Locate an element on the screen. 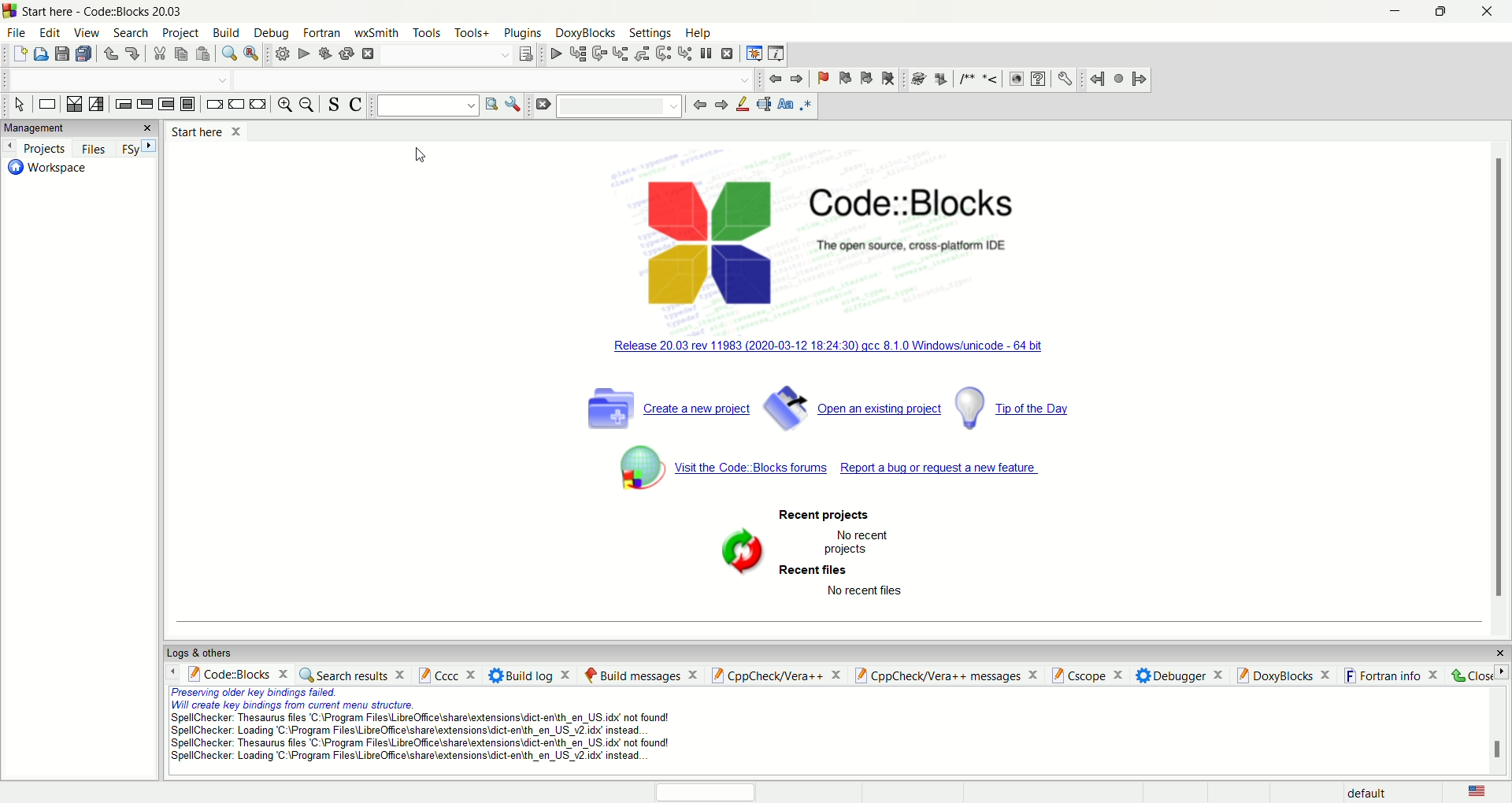 Image resolution: width=1512 pixels, height=803 pixels. cut is located at coordinates (157, 54).